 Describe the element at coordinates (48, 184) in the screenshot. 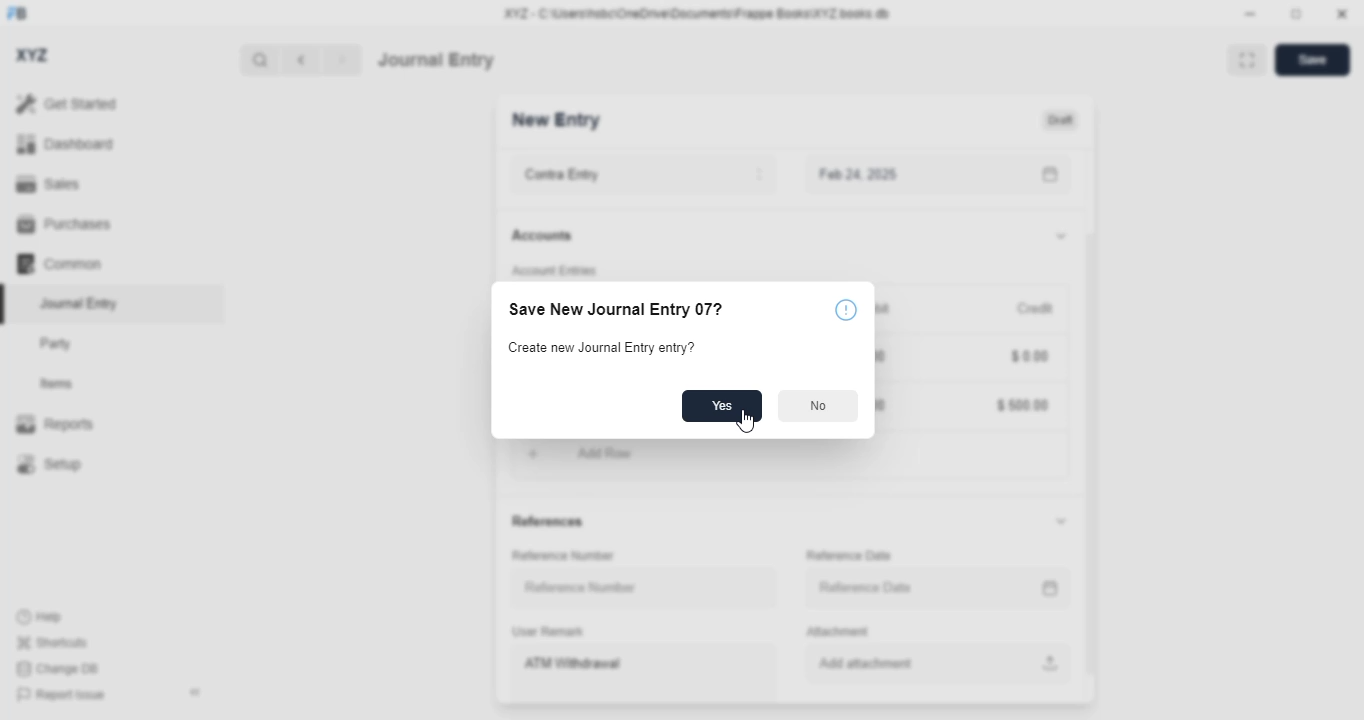

I see `sales` at that location.